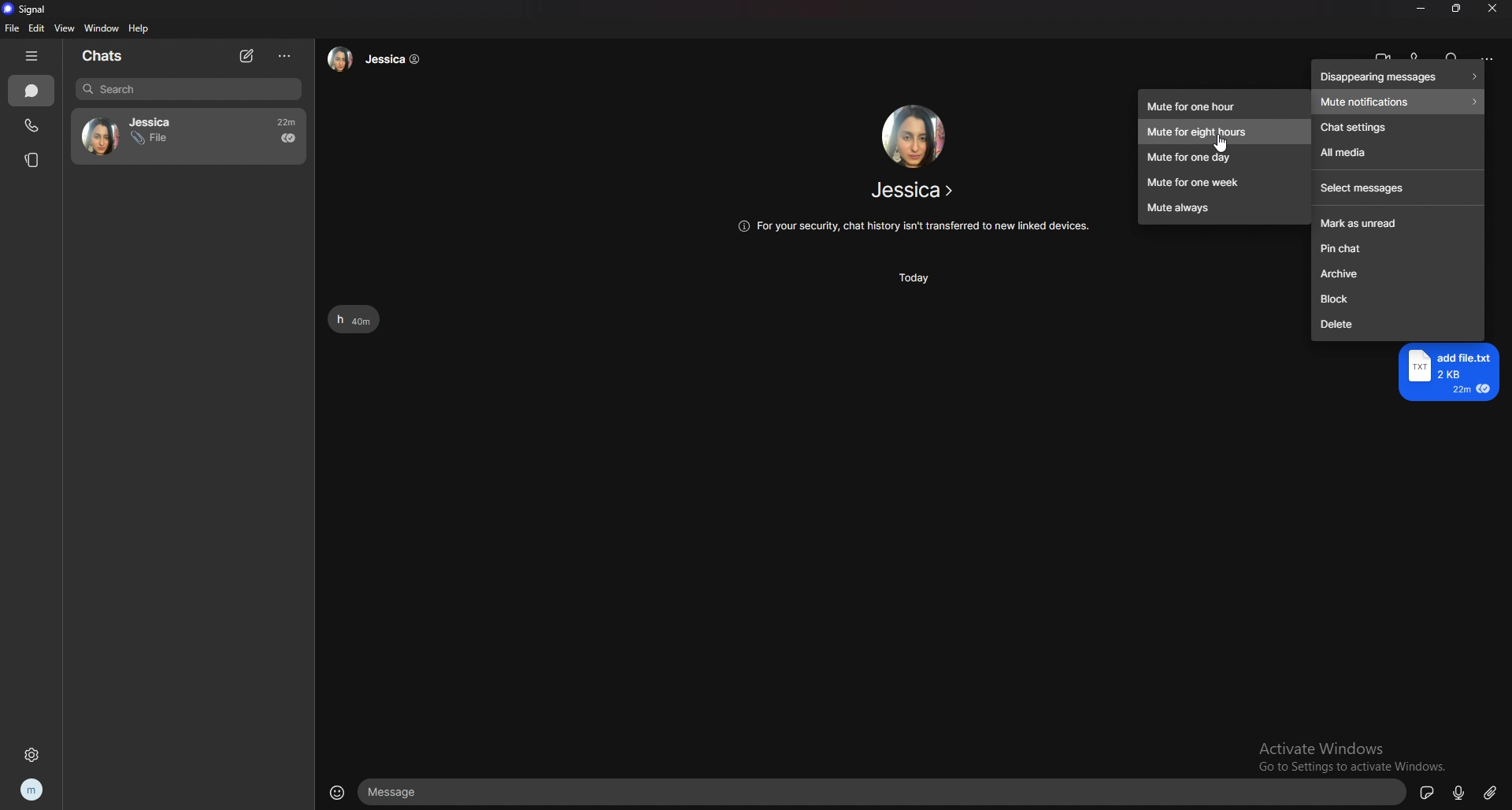 The height and width of the screenshot is (810, 1512). I want to click on window, so click(101, 28).